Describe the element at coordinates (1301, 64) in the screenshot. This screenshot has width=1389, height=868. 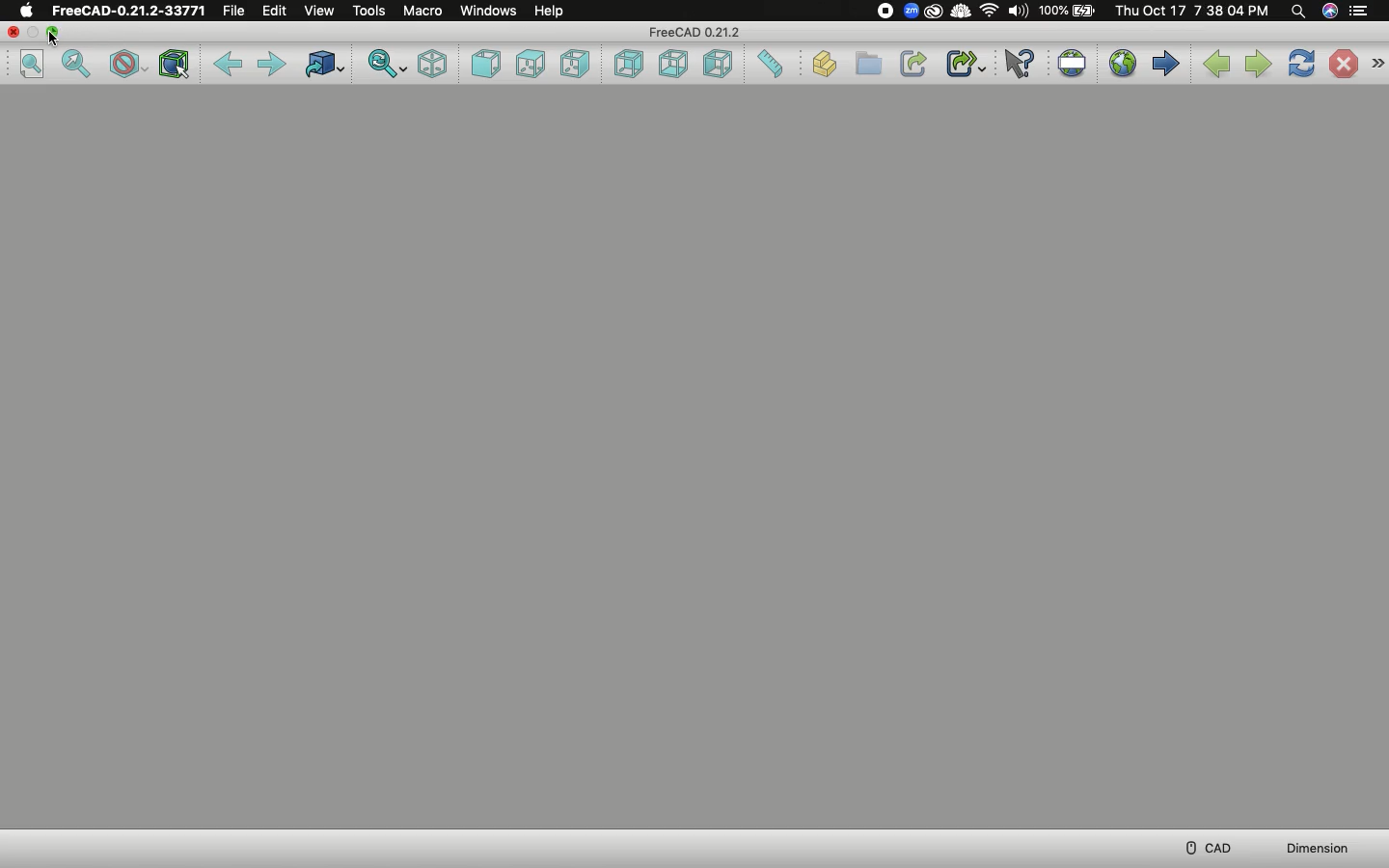
I see `Refresh web page` at that location.